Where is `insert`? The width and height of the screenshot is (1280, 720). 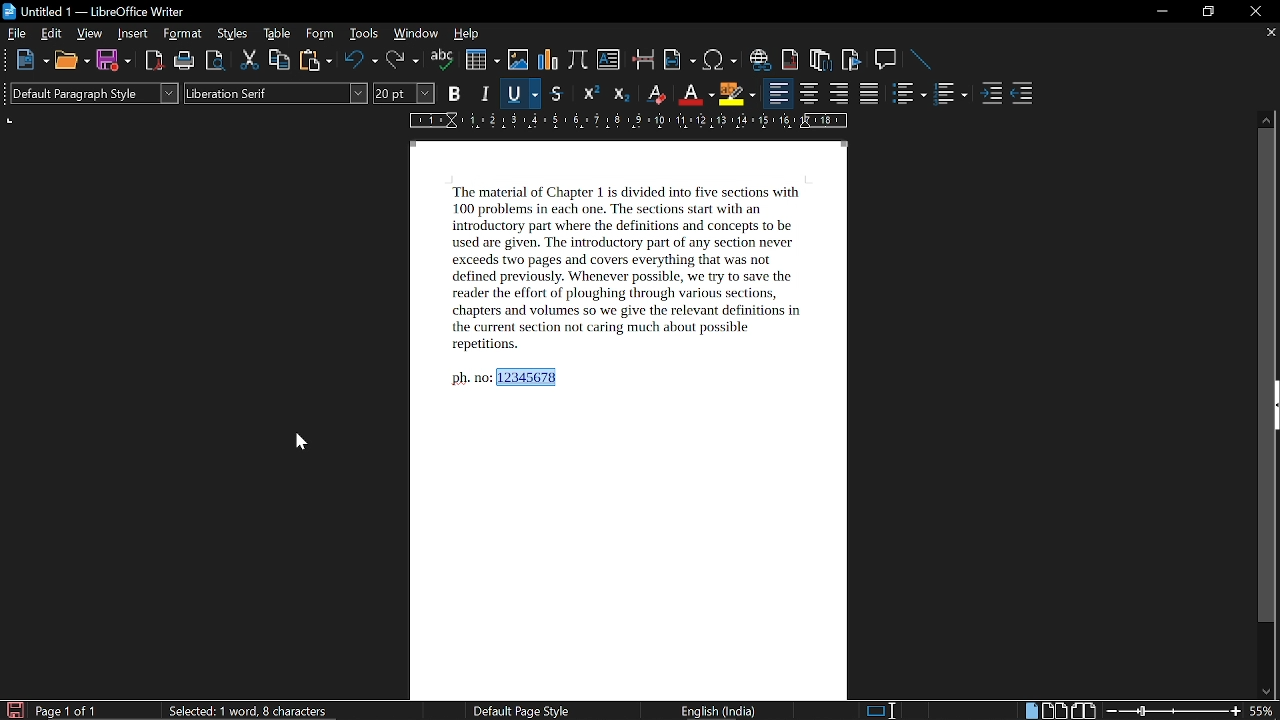
insert is located at coordinates (130, 34).